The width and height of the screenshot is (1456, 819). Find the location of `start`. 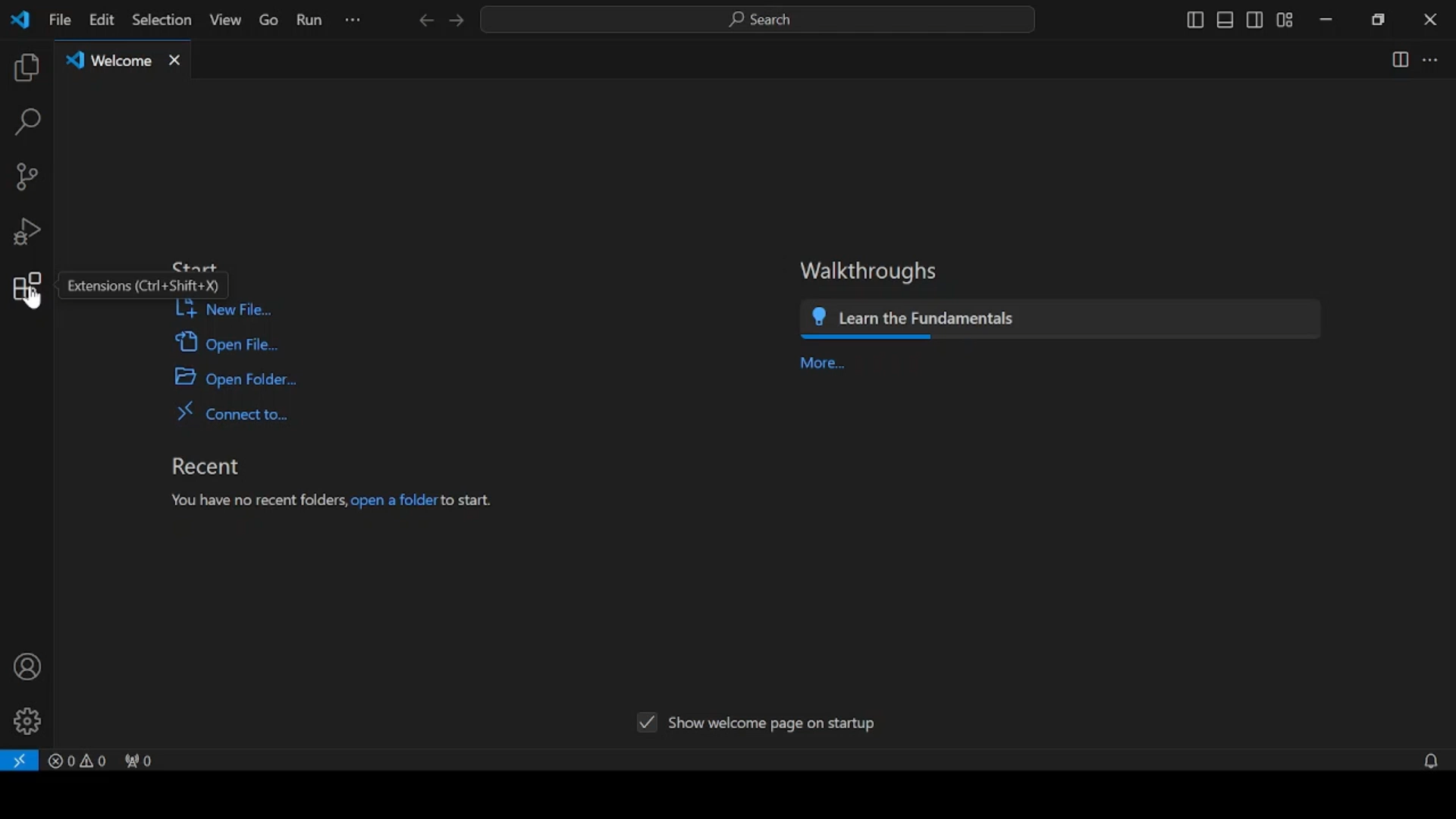

start is located at coordinates (198, 264).